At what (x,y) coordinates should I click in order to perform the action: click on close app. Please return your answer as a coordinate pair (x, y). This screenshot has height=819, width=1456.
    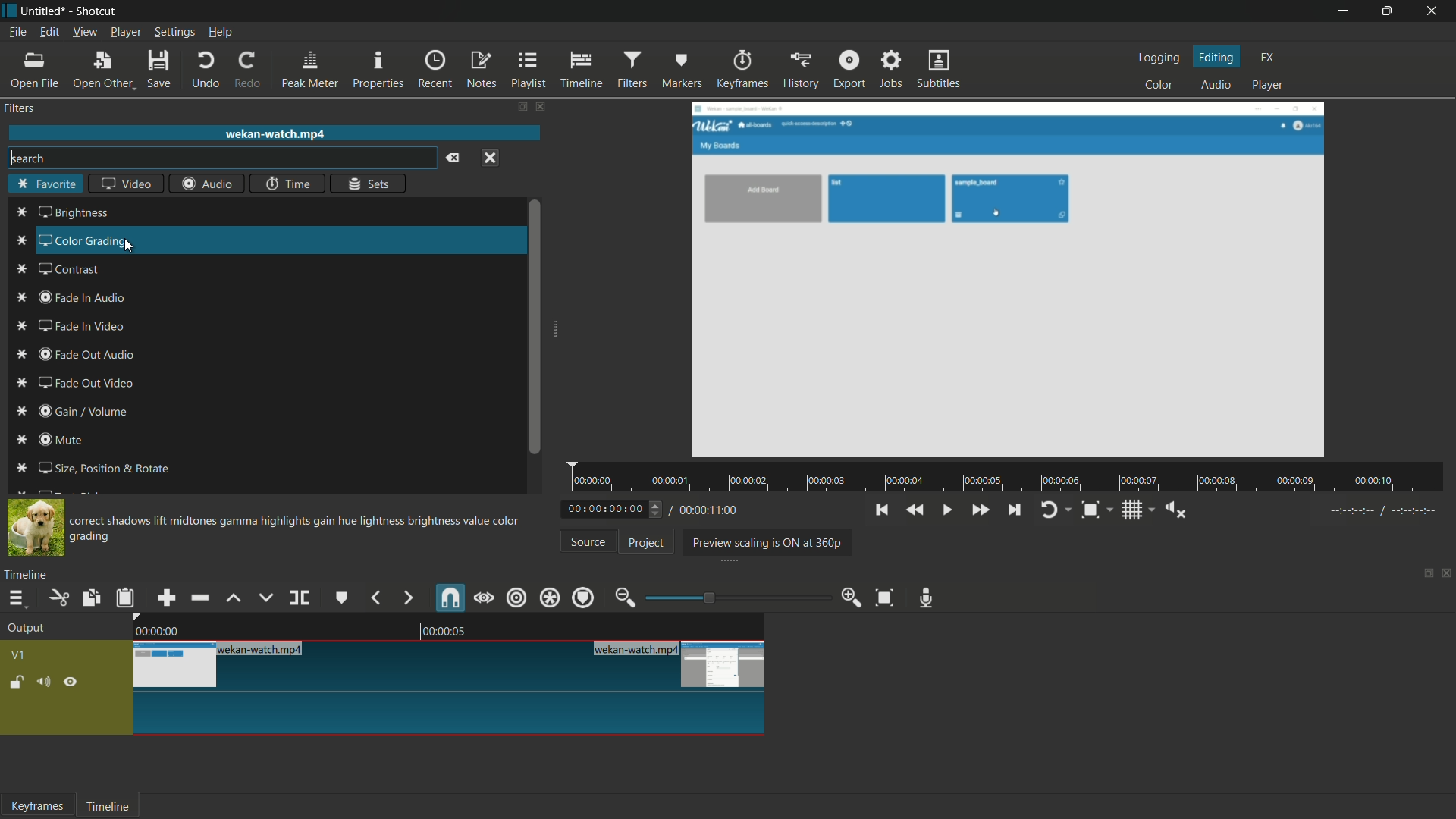
    Looking at the image, I should click on (1435, 11).